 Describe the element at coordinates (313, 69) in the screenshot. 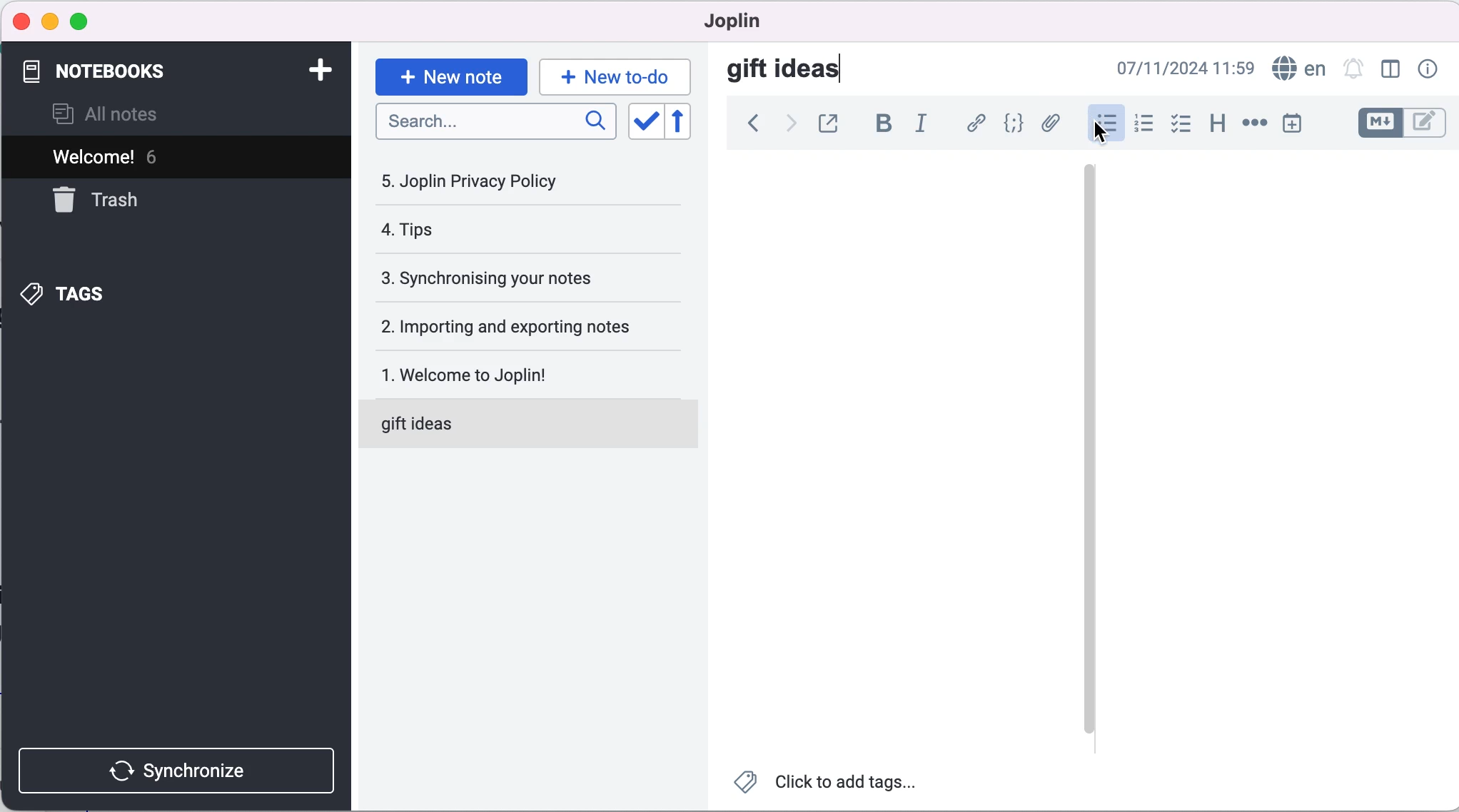

I see `add note` at that location.